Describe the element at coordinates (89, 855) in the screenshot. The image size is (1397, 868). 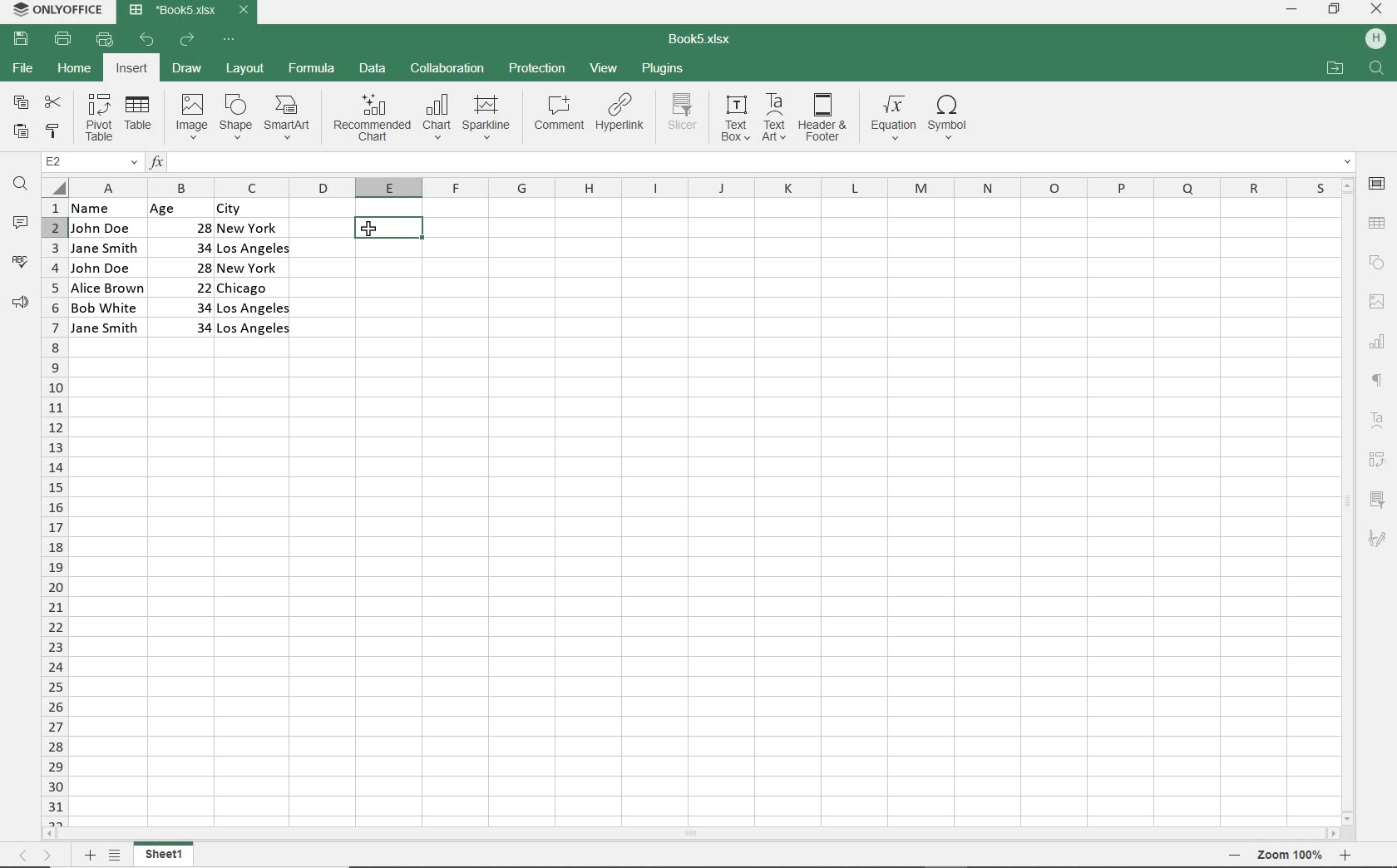
I see `ADD SHEETS` at that location.